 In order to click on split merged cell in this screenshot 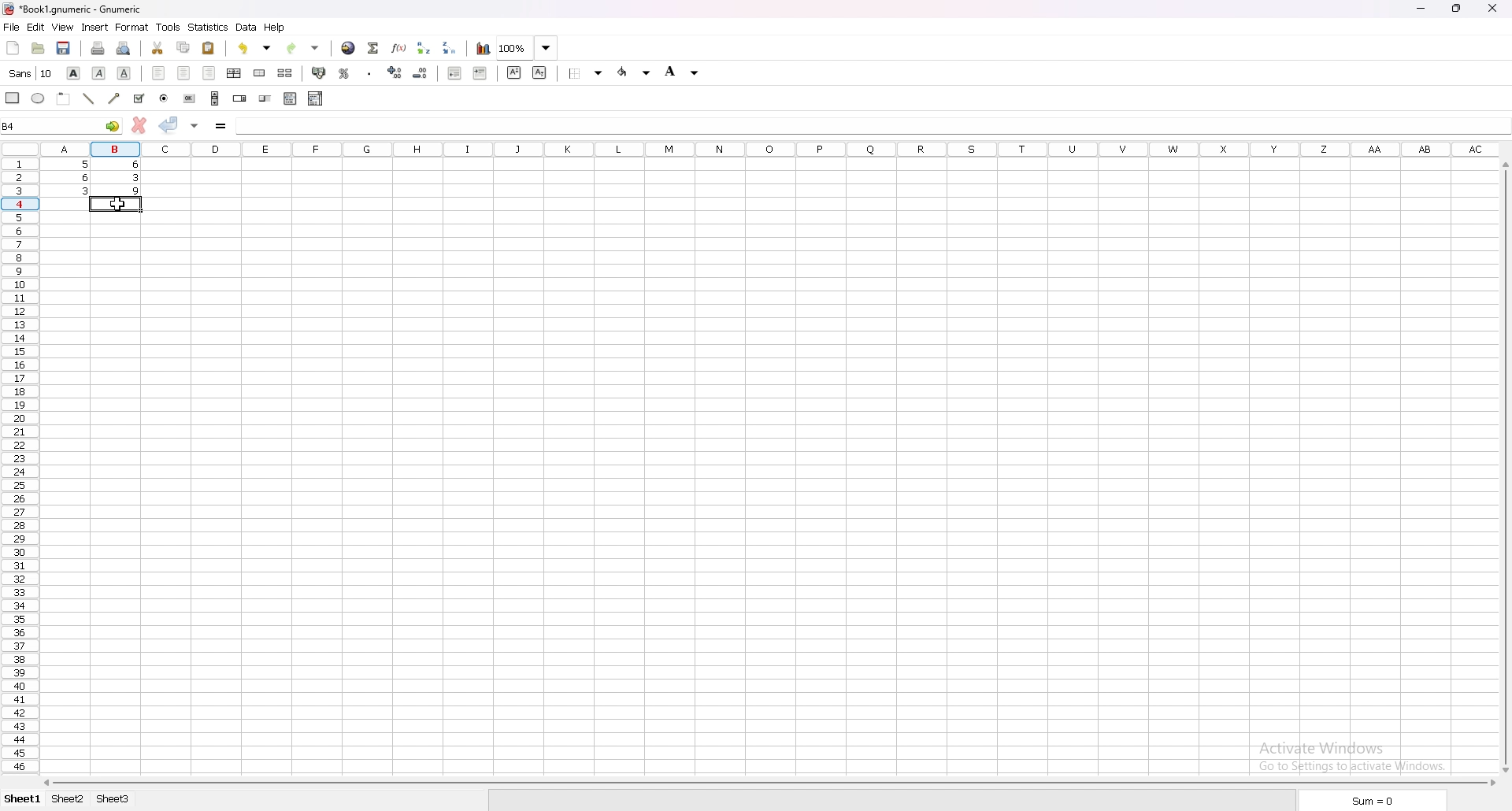, I will do `click(284, 73)`.